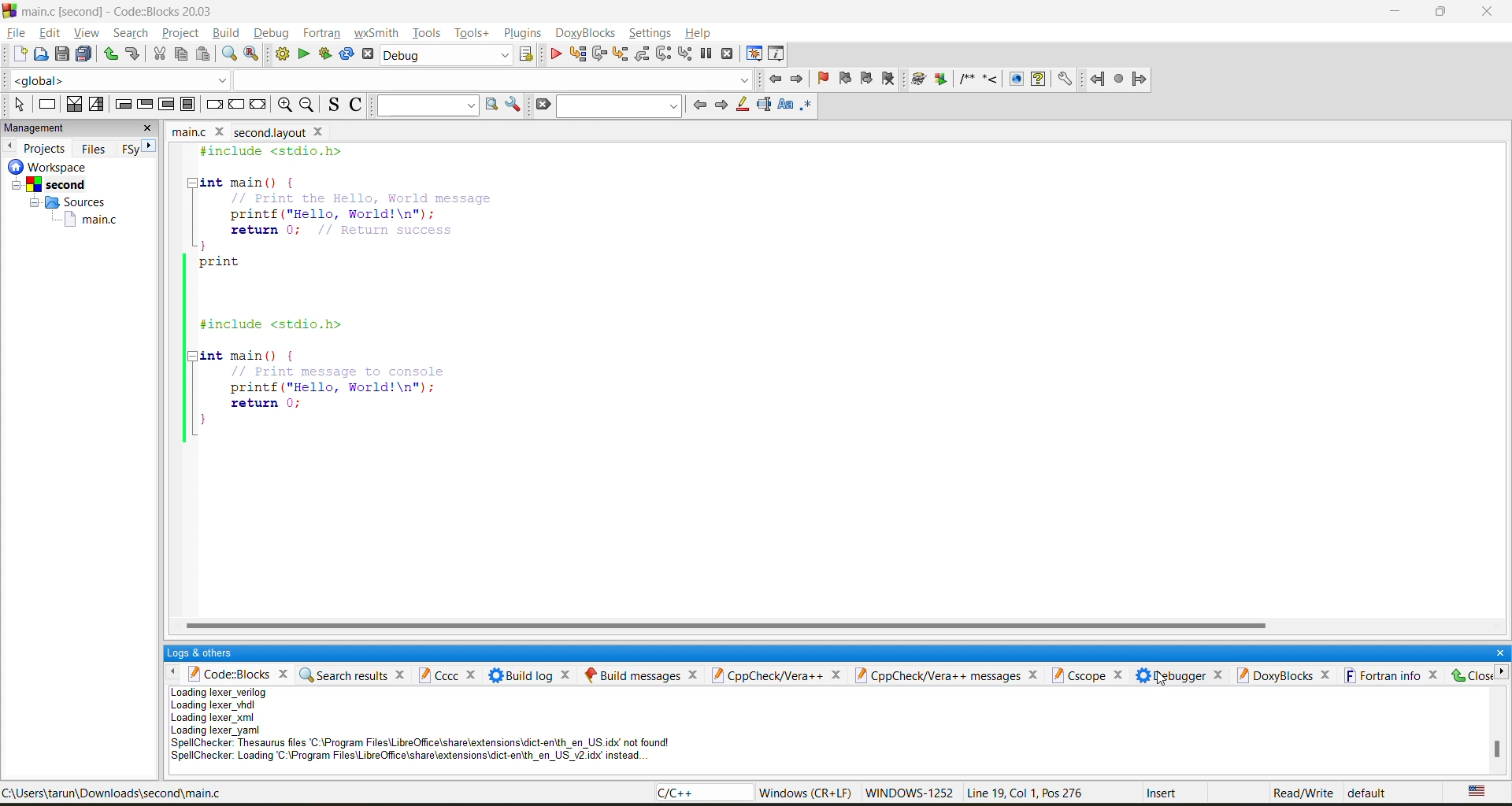  Describe the element at coordinates (723, 107) in the screenshot. I see `next` at that location.